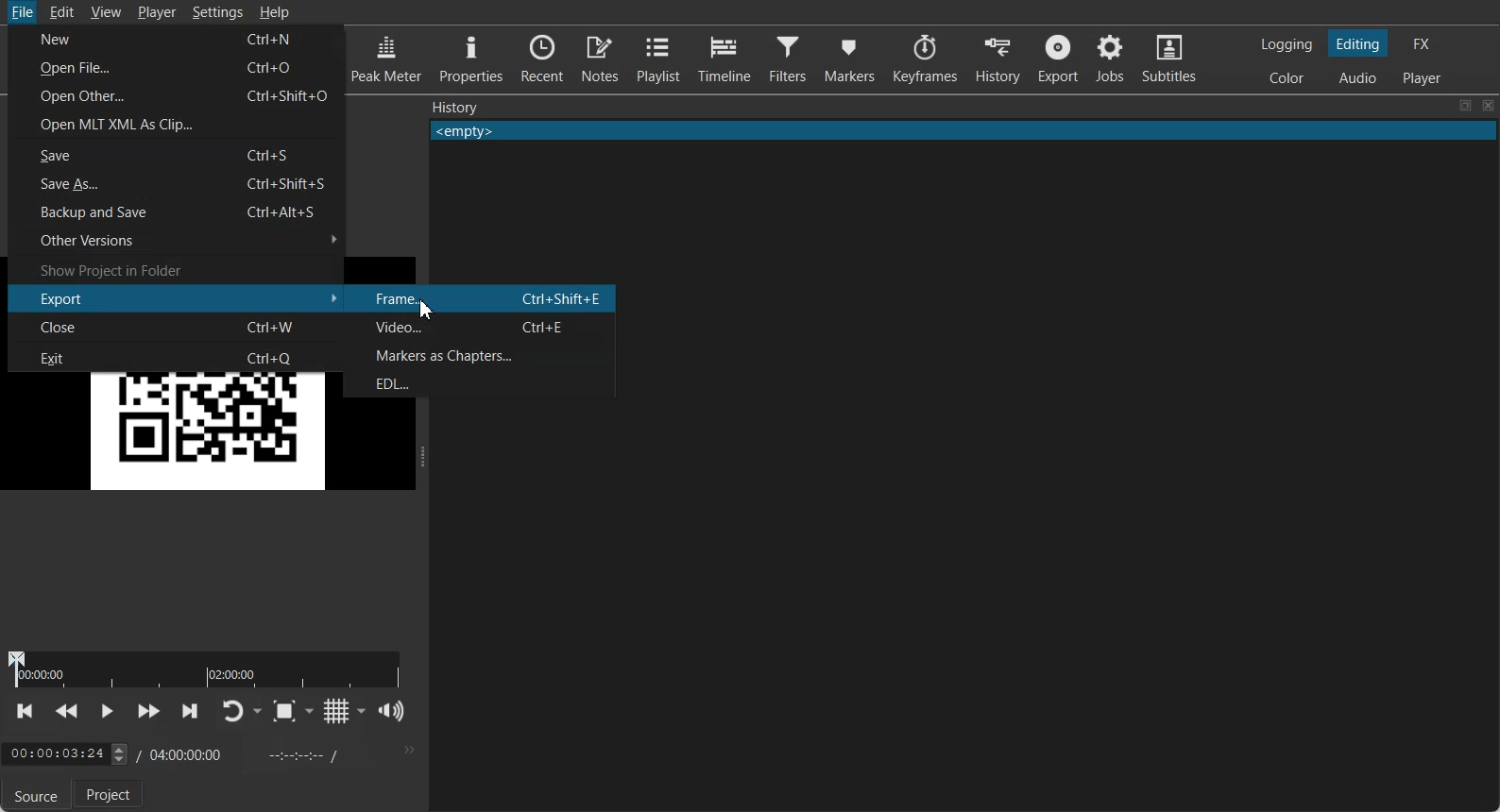 The width and height of the screenshot is (1500, 812). What do you see at coordinates (1421, 42) in the screenshot?
I see `Switching to the Effect Layout` at bounding box center [1421, 42].